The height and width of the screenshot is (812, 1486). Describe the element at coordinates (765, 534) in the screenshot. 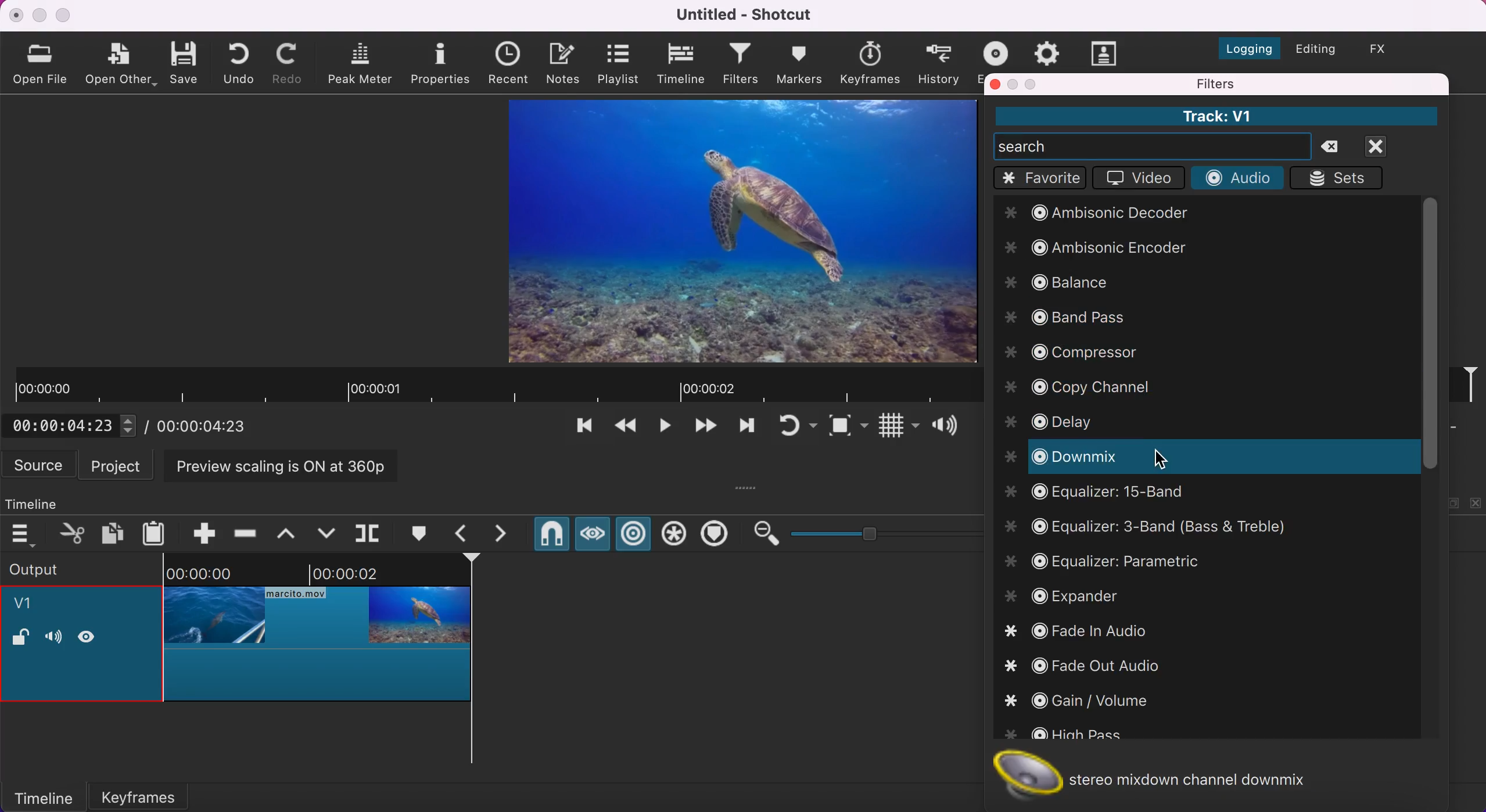

I see `zoom out` at that location.